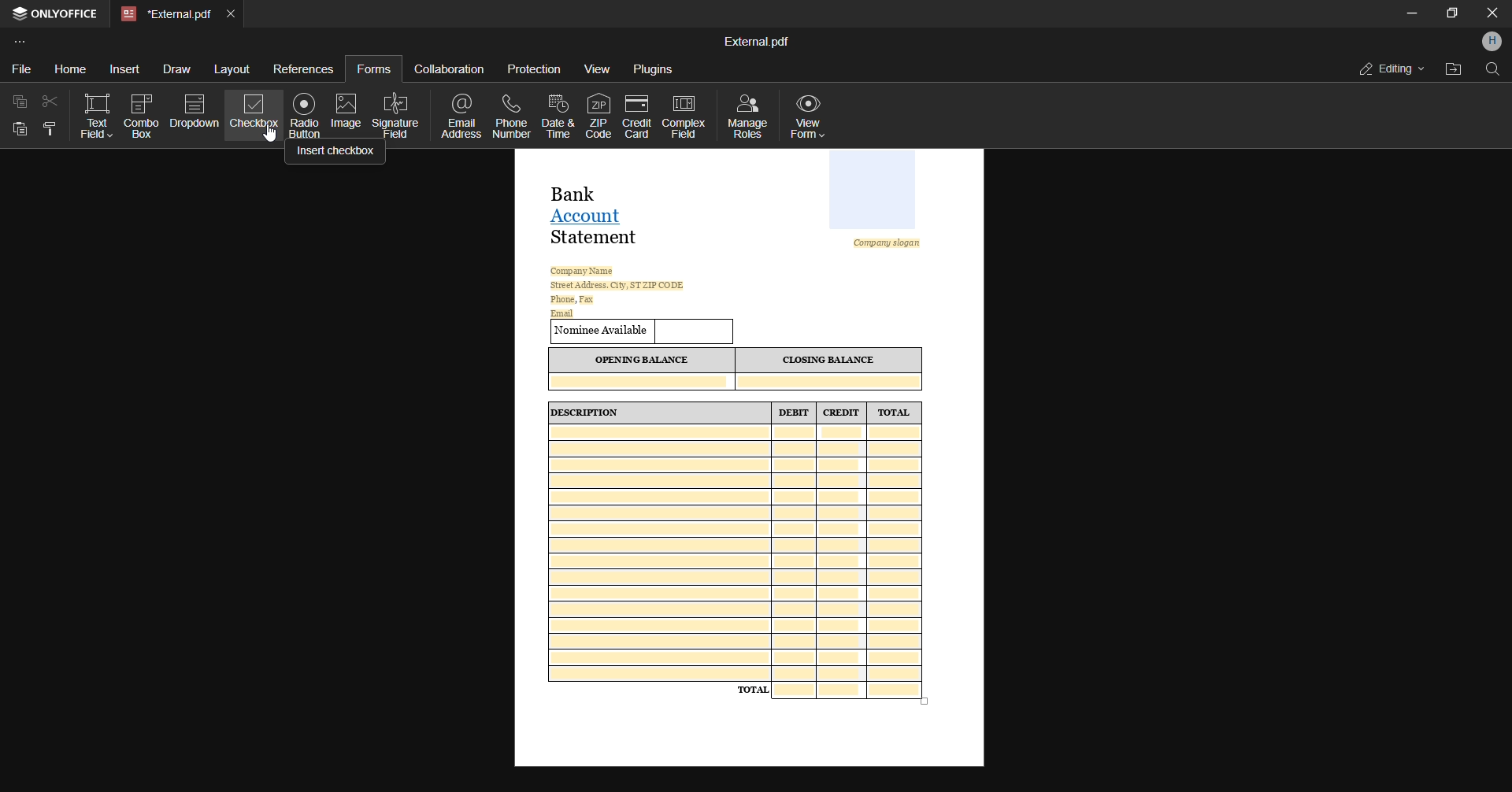  Describe the element at coordinates (397, 115) in the screenshot. I see `signature field` at that location.